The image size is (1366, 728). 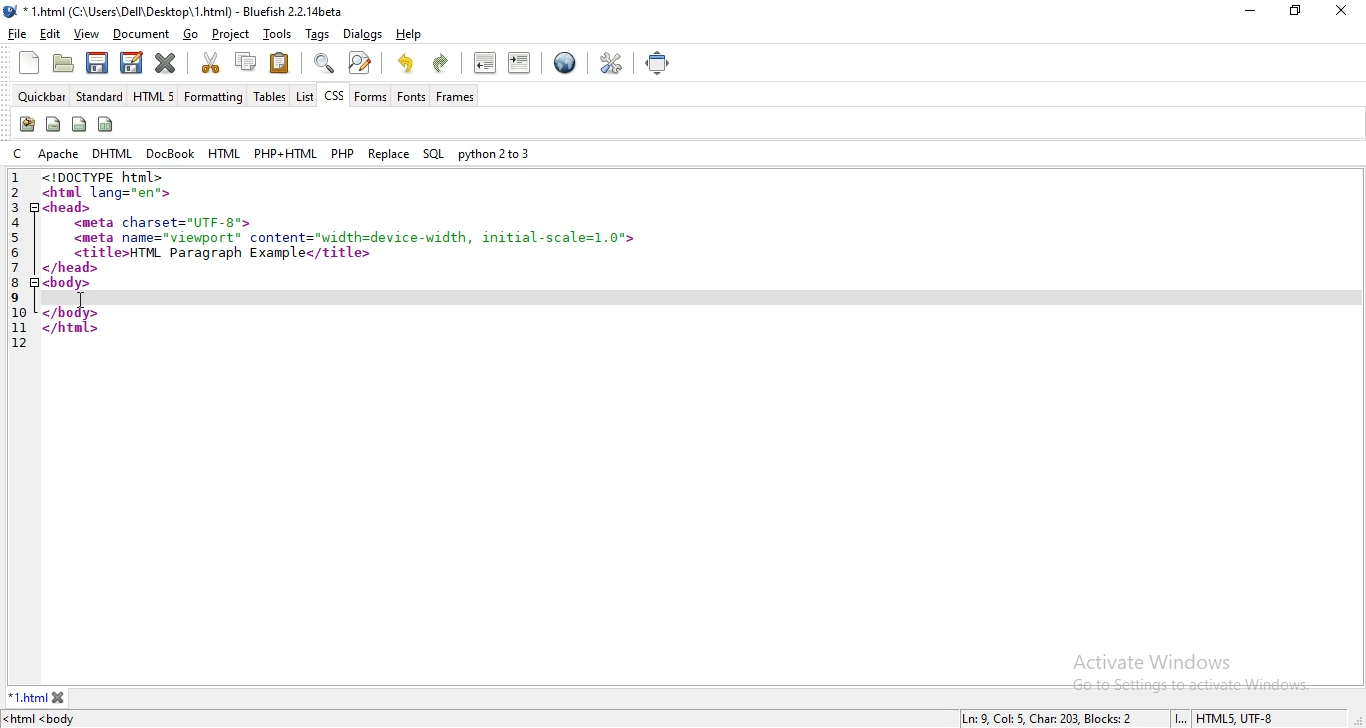 What do you see at coordinates (211, 62) in the screenshot?
I see `cut` at bounding box center [211, 62].